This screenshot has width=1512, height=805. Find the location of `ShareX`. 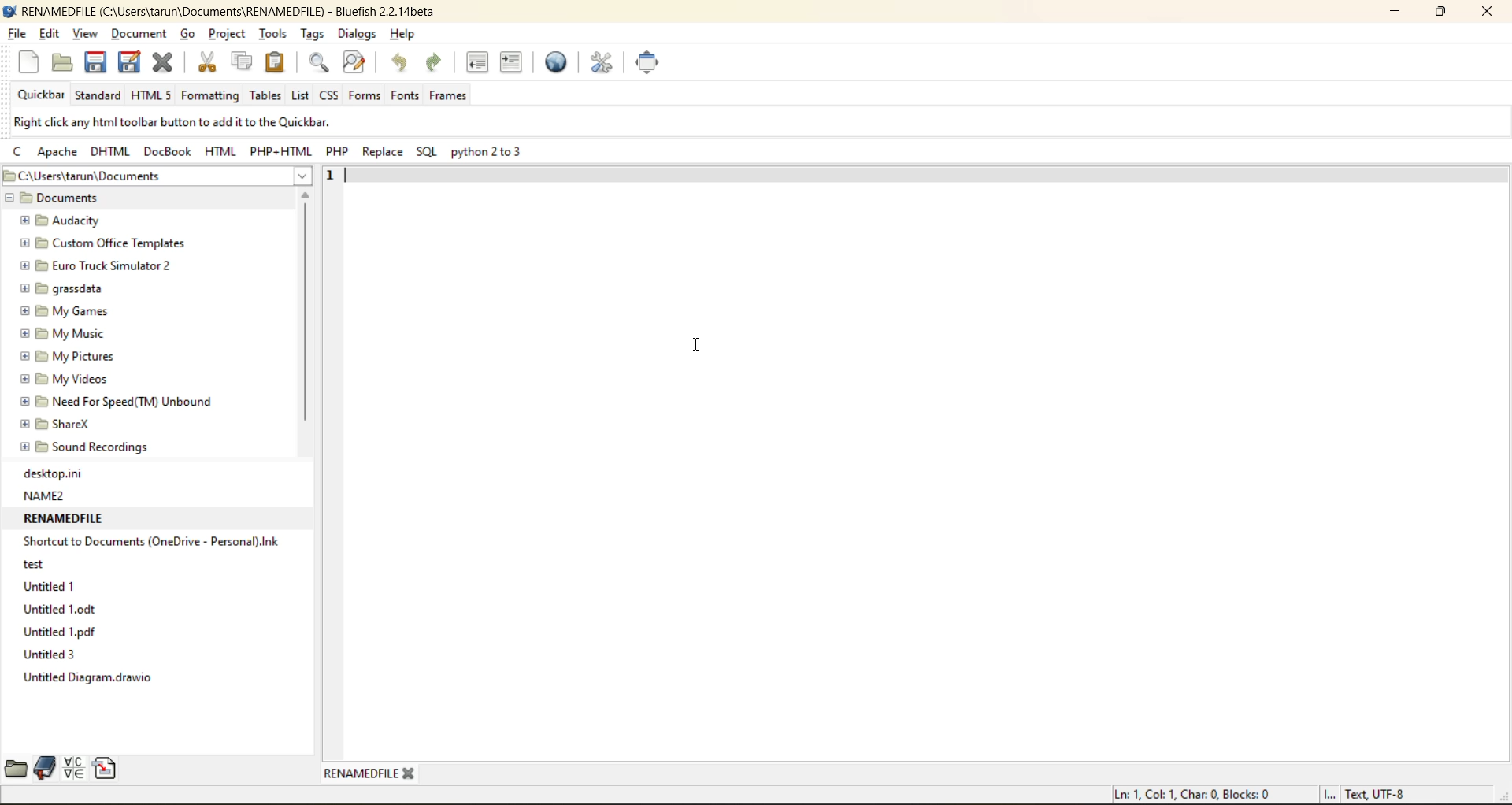

ShareX is located at coordinates (56, 423).